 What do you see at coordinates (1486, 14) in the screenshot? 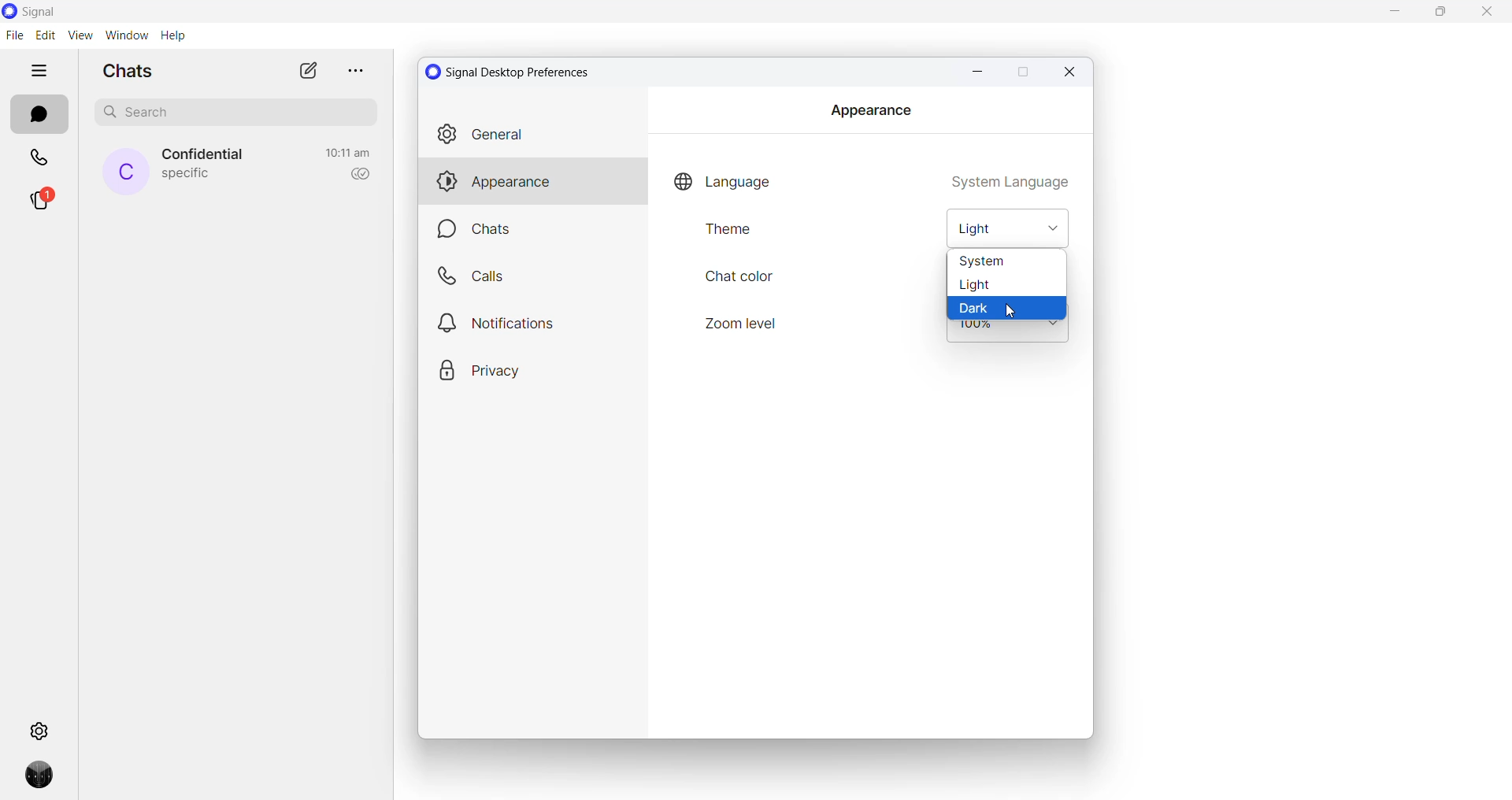
I see `close` at bounding box center [1486, 14].